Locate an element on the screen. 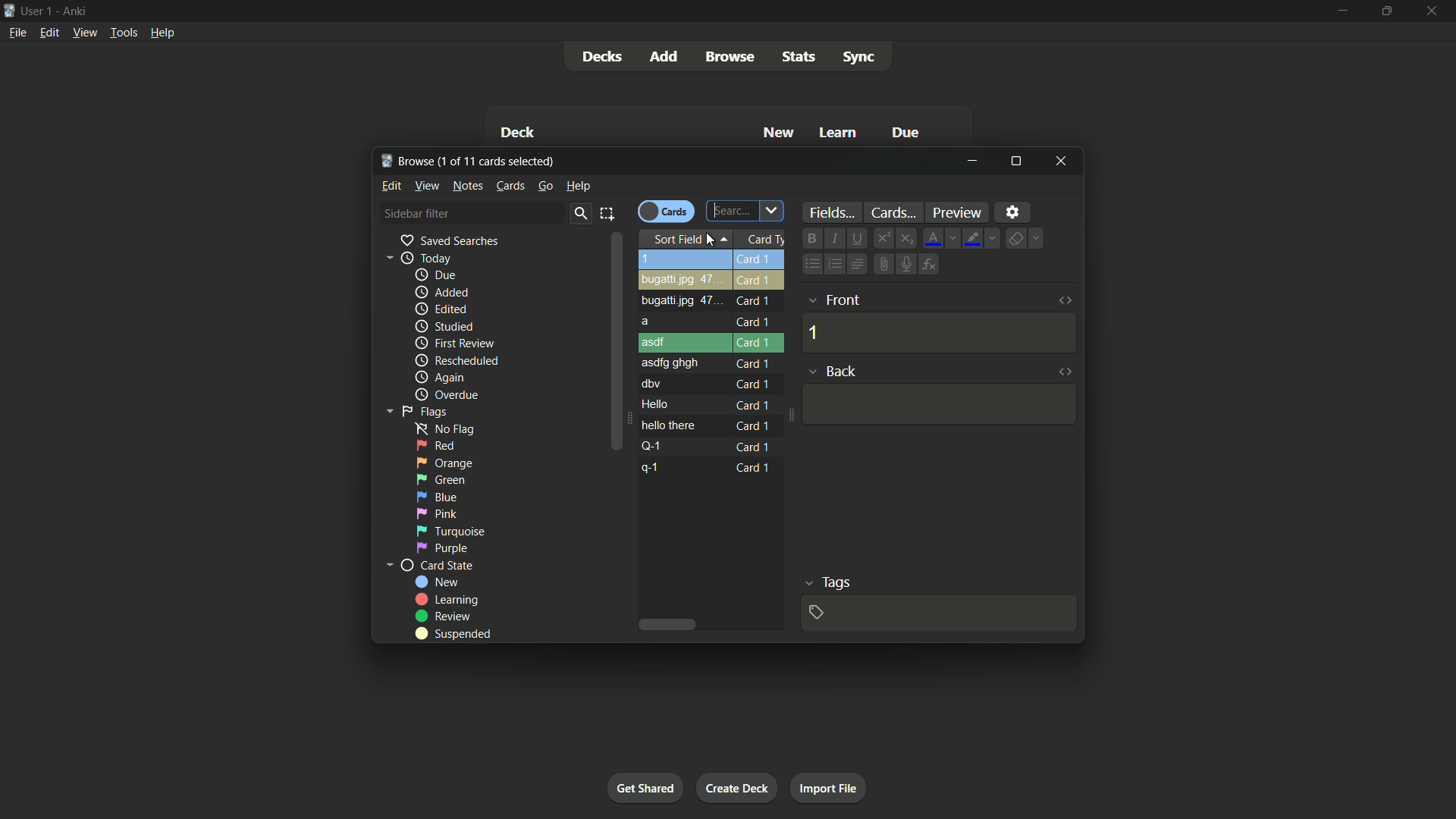  overdue is located at coordinates (450, 395).